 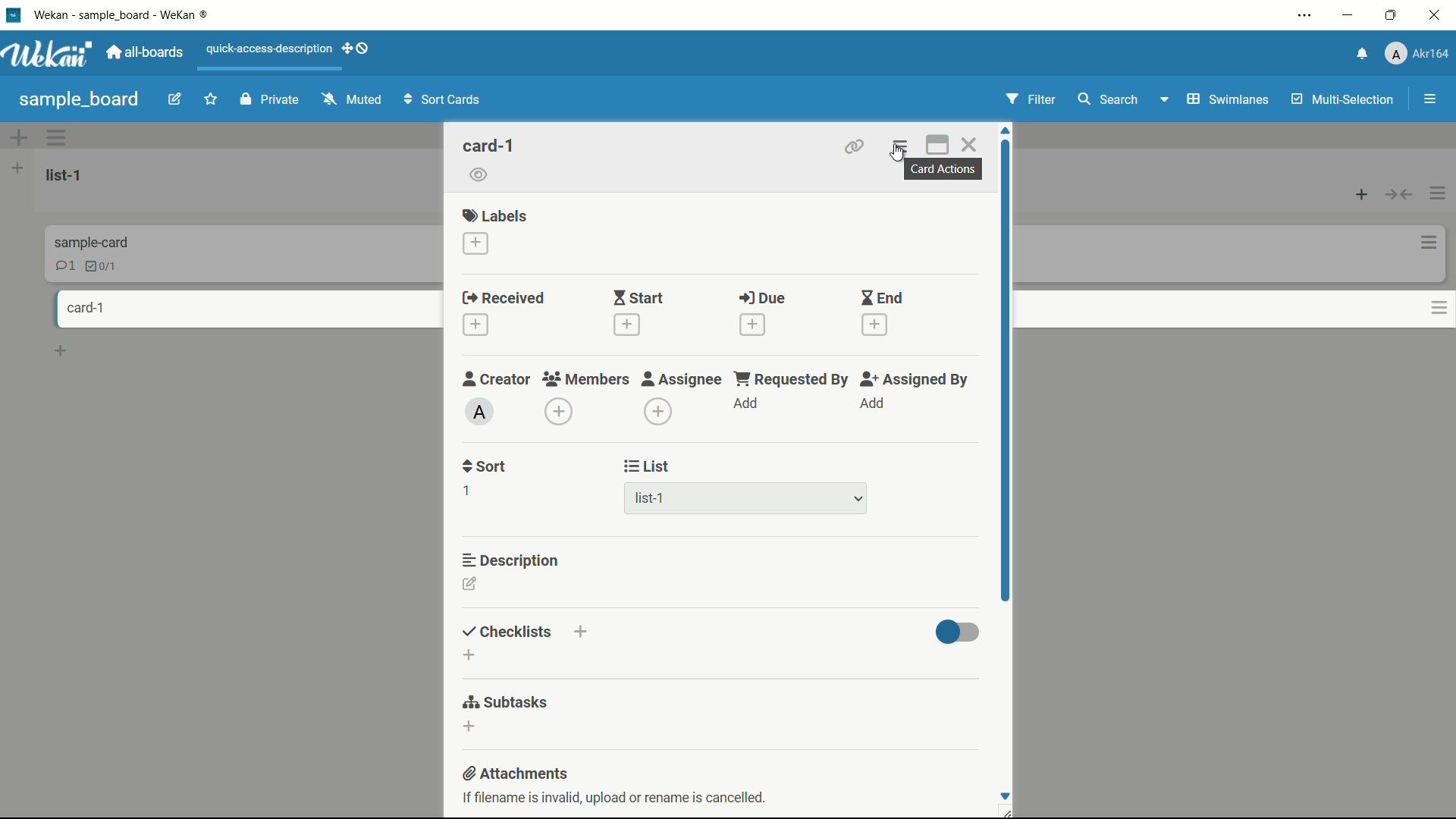 What do you see at coordinates (1420, 53) in the screenshot?
I see `Akr164` at bounding box center [1420, 53].